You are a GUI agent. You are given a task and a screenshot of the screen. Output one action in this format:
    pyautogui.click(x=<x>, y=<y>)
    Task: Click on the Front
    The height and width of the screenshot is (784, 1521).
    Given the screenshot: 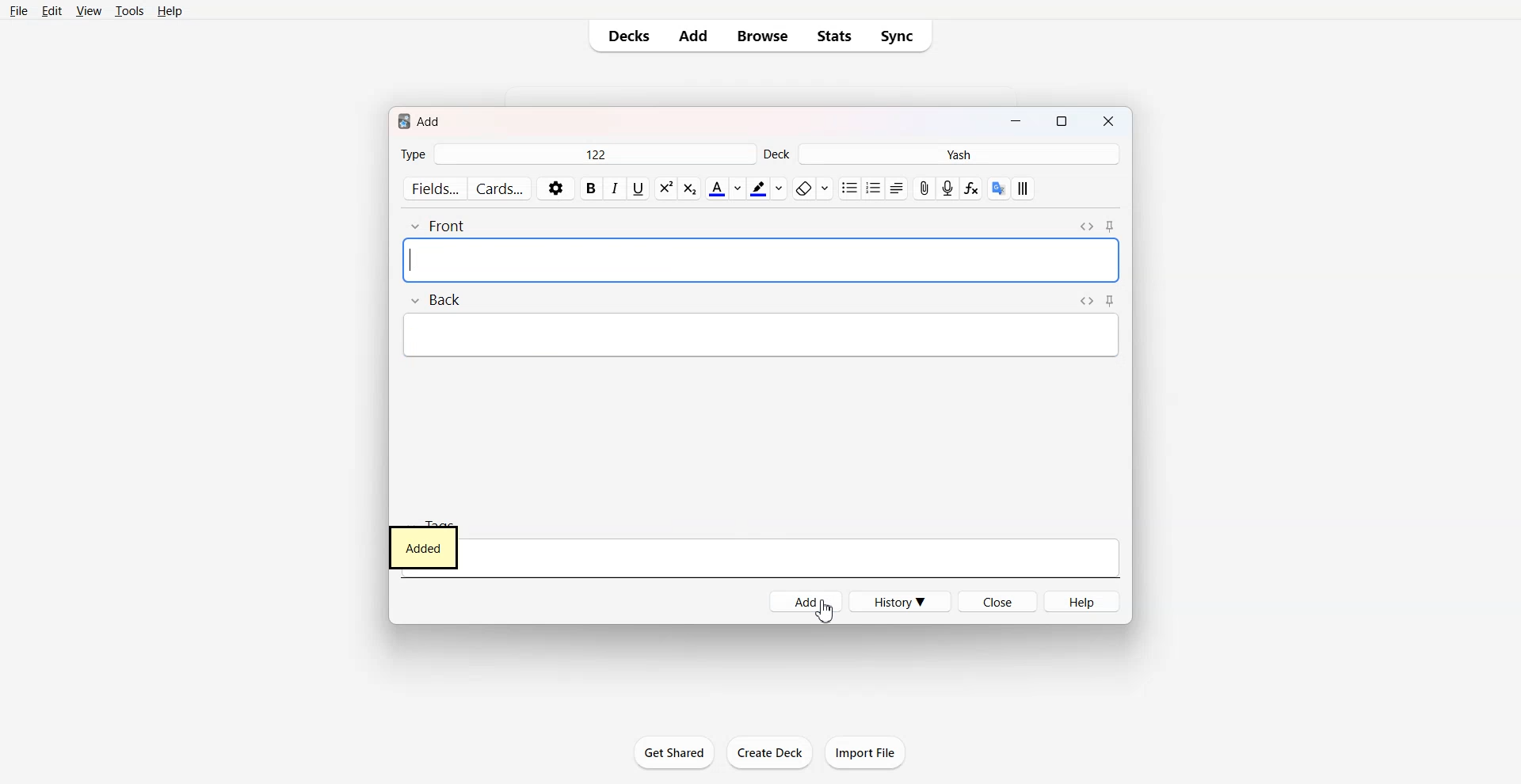 What is the action you would take?
    pyautogui.click(x=443, y=226)
    